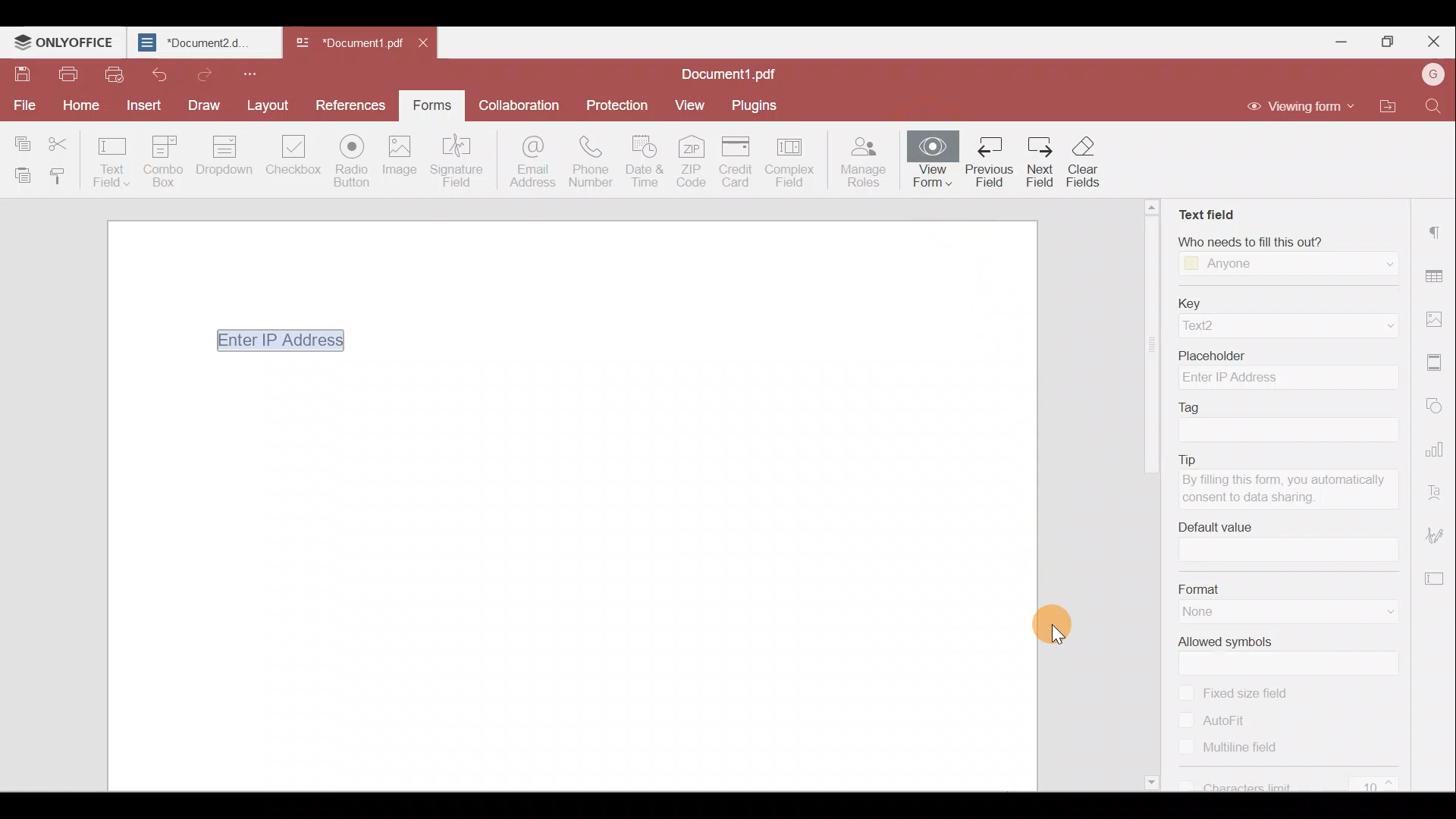 Image resolution: width=1456 pixels, height=819 pixels. Describe the element at coordinates (1230, 265) in the screenshot. I see `Anyone` at that location.